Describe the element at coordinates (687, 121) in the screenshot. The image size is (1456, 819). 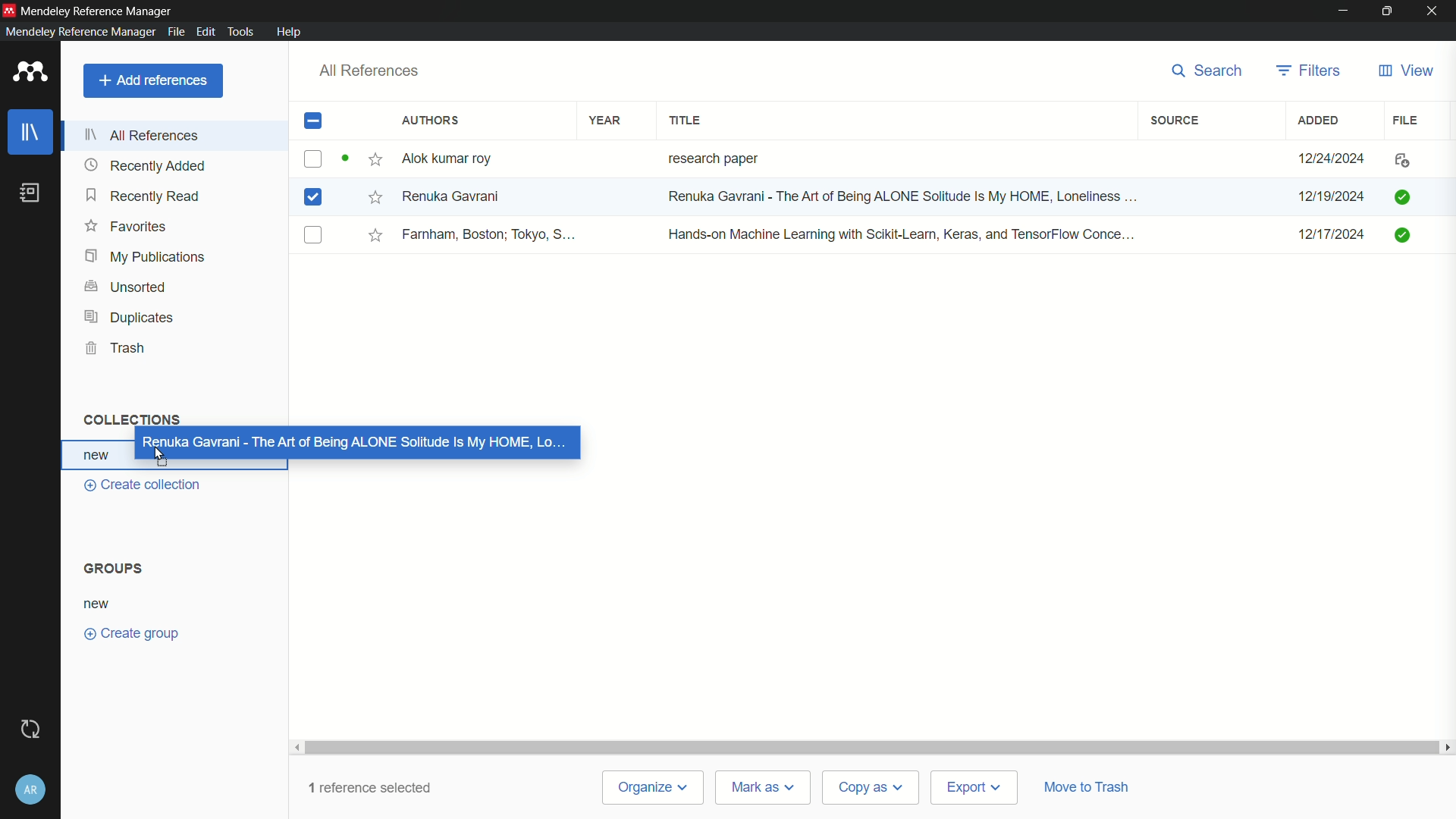
I see `title` at that location.